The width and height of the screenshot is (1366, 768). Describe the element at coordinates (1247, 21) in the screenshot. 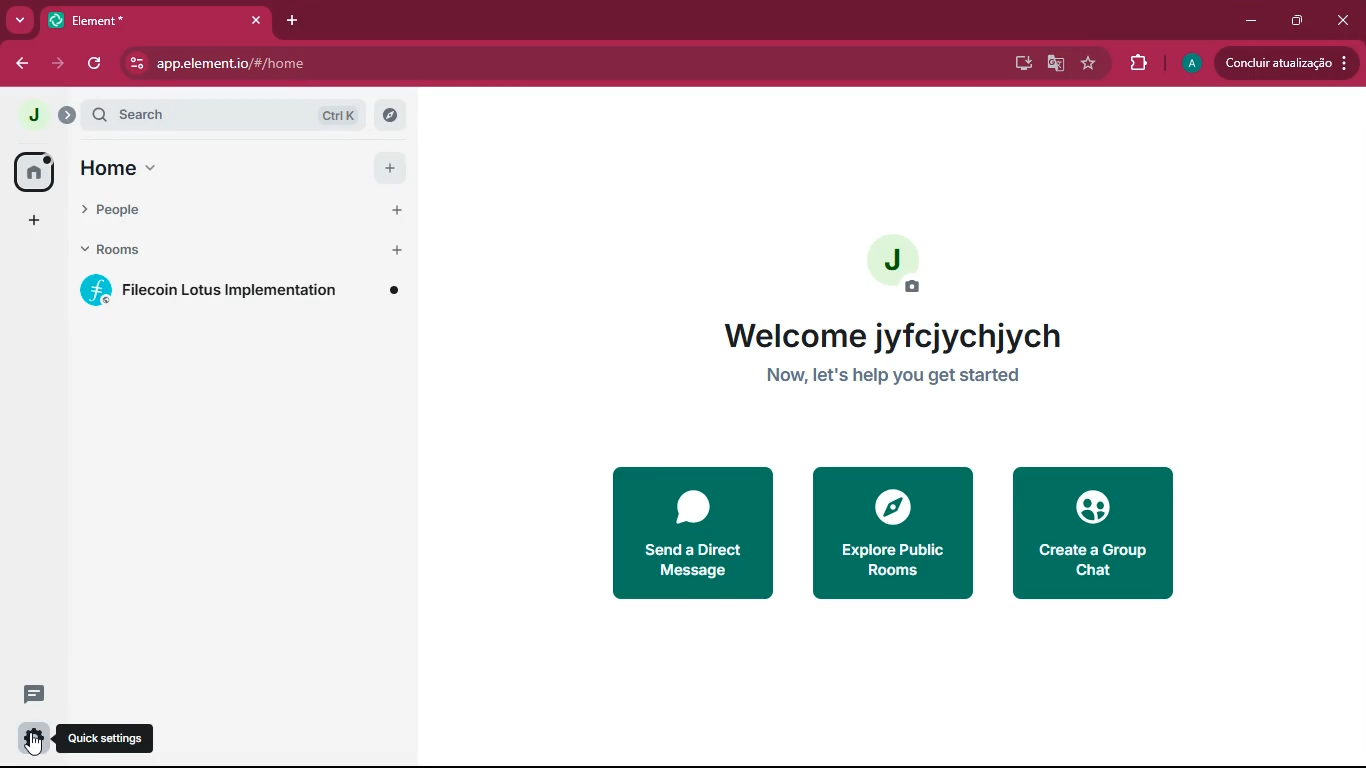

I see `minimize` at that location.